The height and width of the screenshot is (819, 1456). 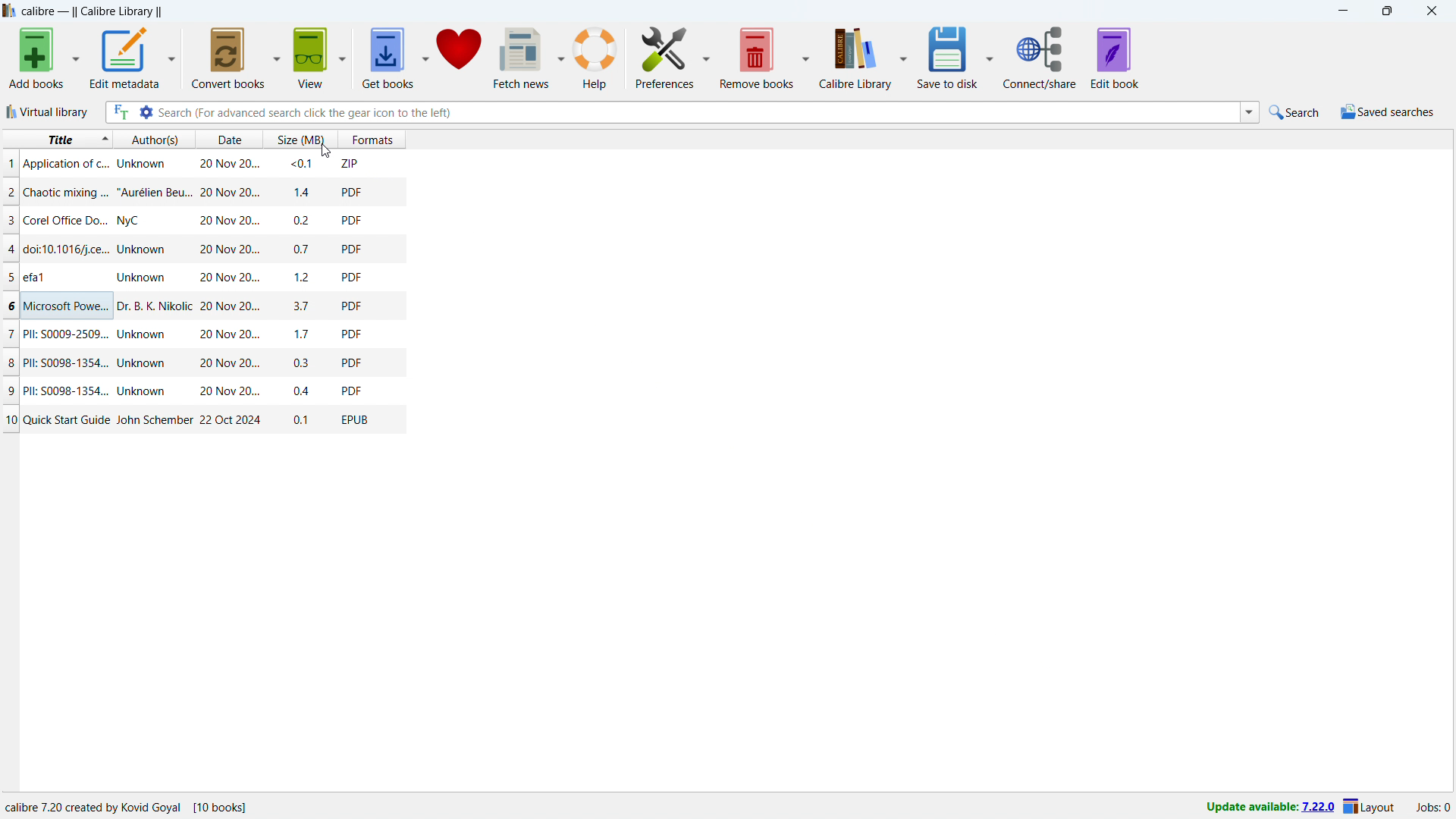 What do you see at coordinates (66, 220) in the screenshot?
I see `title` at bounding box center [66, 220].